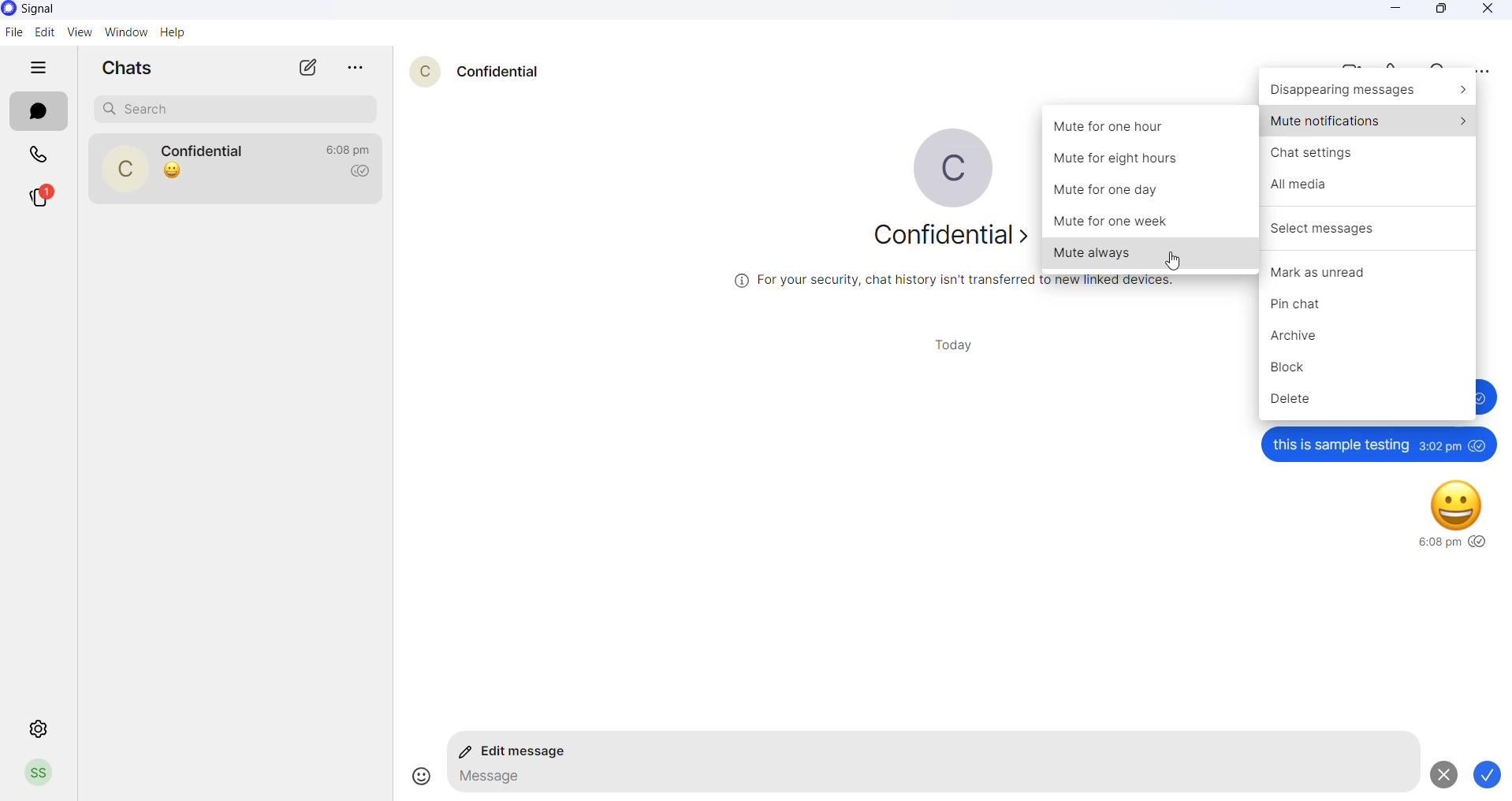 Image resolution: width=1512 pixels, height=801 pixels. What do you see at coordinates (1339, 445) in the screenshot?
I see `this is a sample testing` at bounding box center [1339, 445].